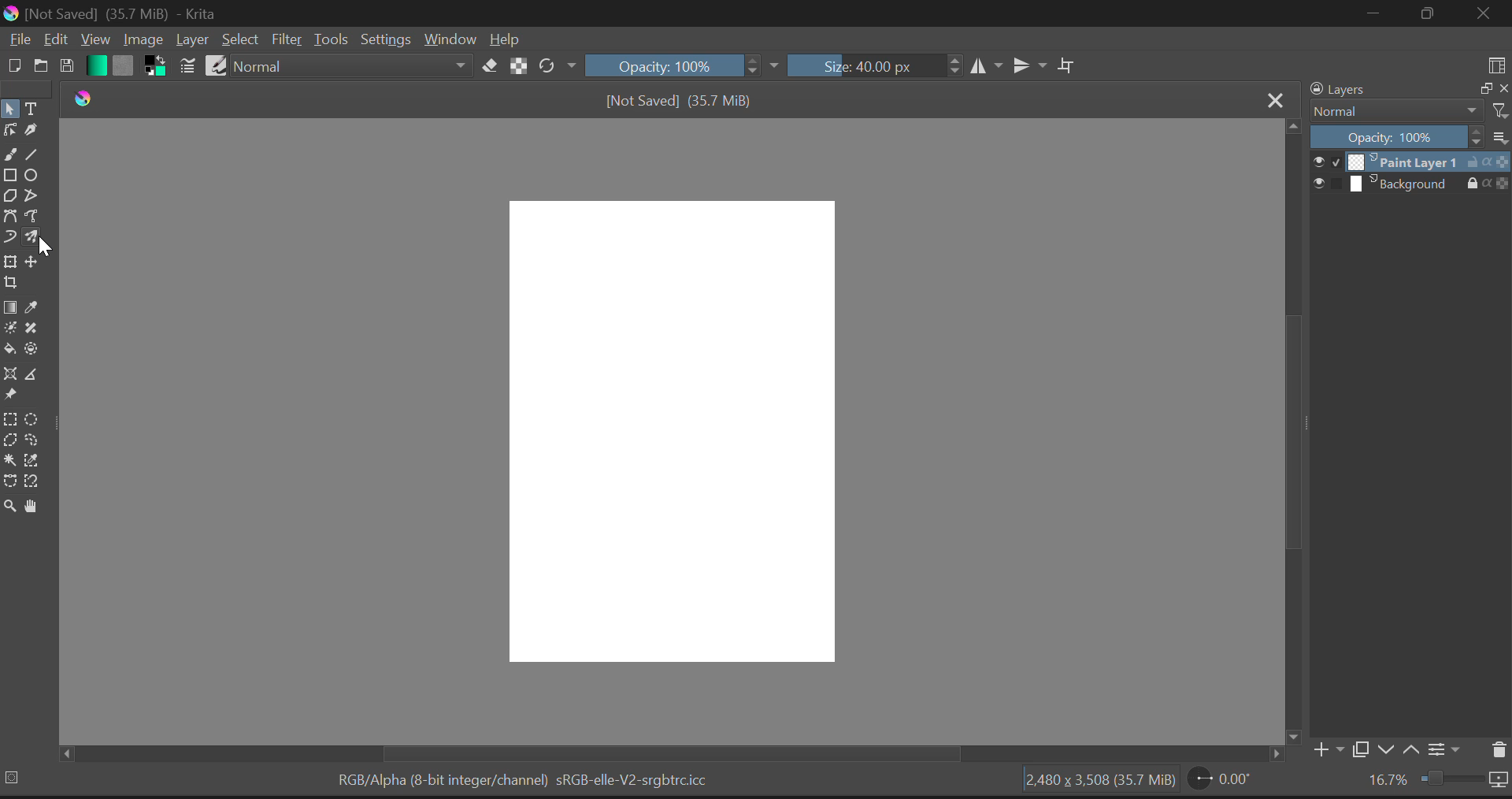 The height and width of the screenshot is (799, 1512). What do you see at coordinates (10, 508) in the screenshot?
I see `Zoom` at bounding box center [10, 508].